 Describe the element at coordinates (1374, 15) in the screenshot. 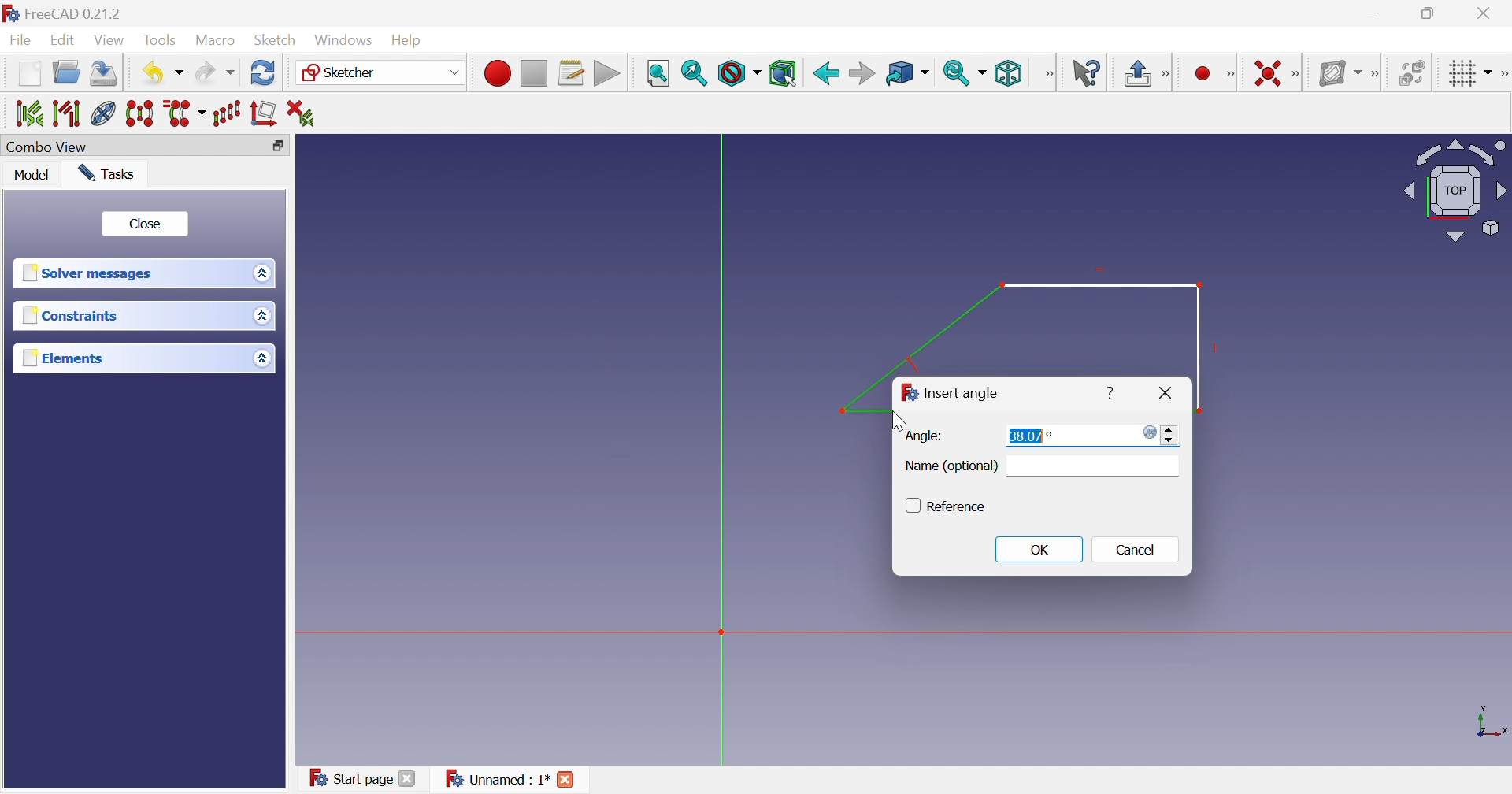

I see `Minimize` at that location.